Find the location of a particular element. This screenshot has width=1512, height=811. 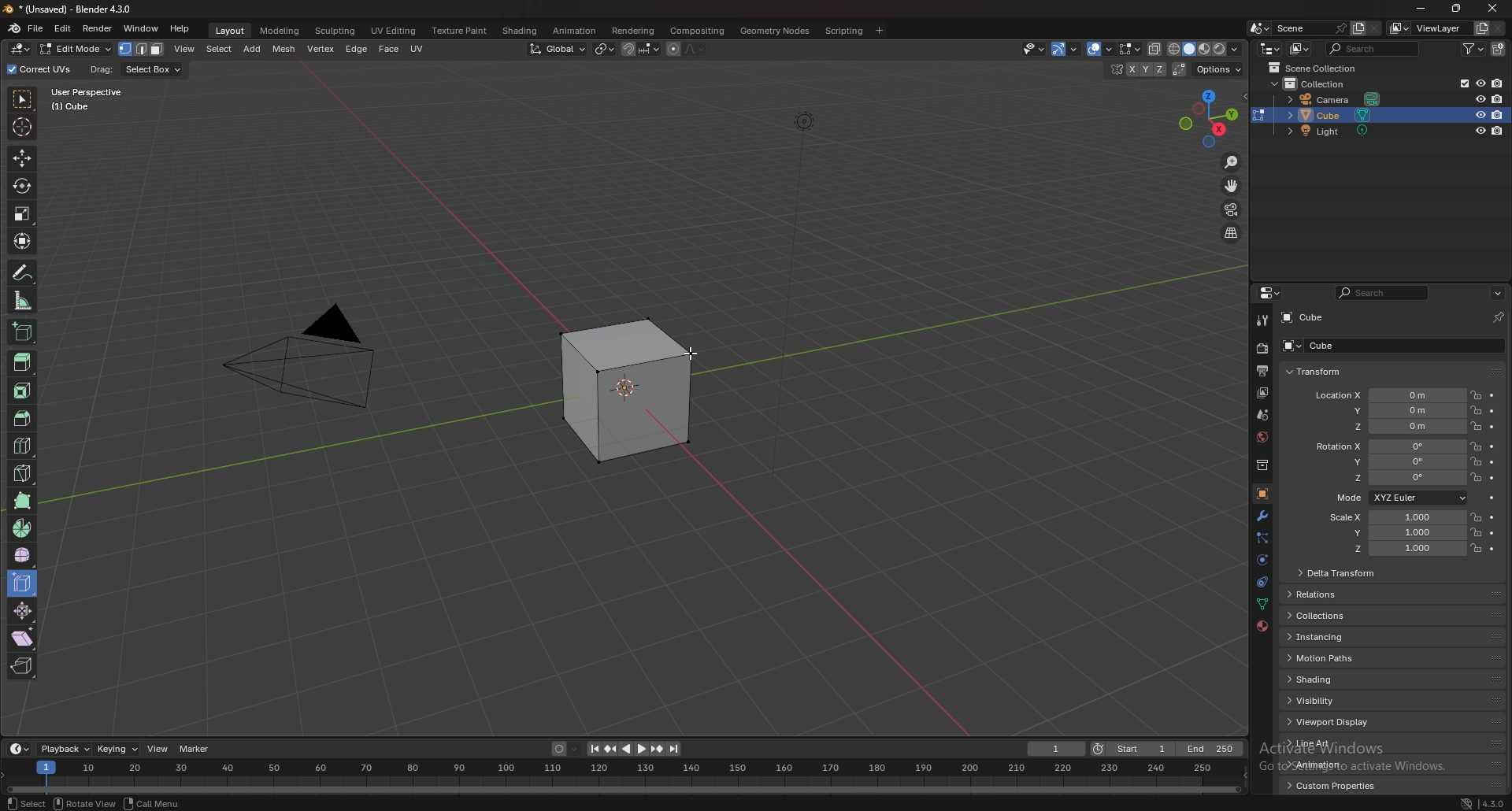

use a preset viewpoint is located at coordinates (1209, 118).